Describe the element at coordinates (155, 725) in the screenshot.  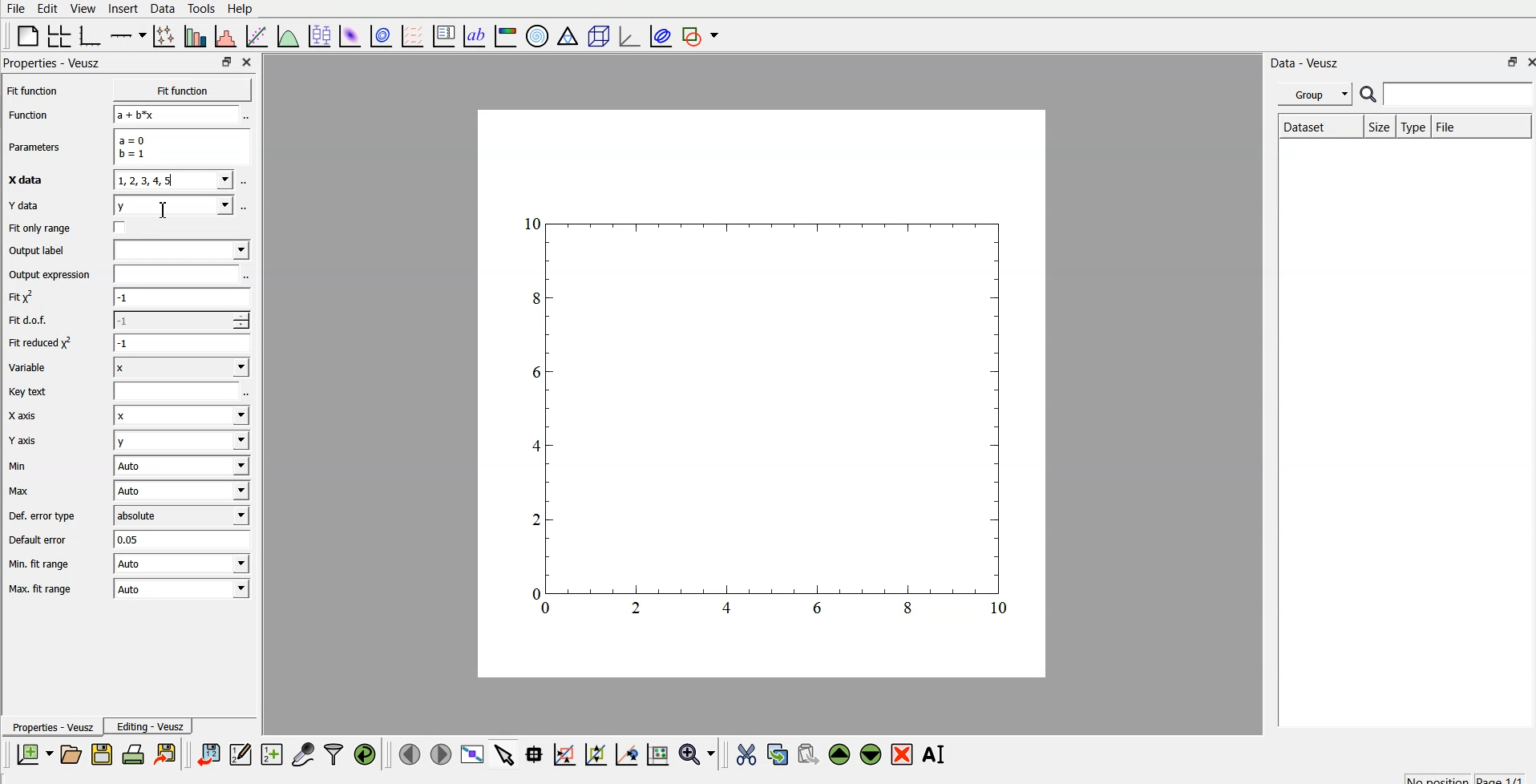
I see `Editing - Veusz` at that location.